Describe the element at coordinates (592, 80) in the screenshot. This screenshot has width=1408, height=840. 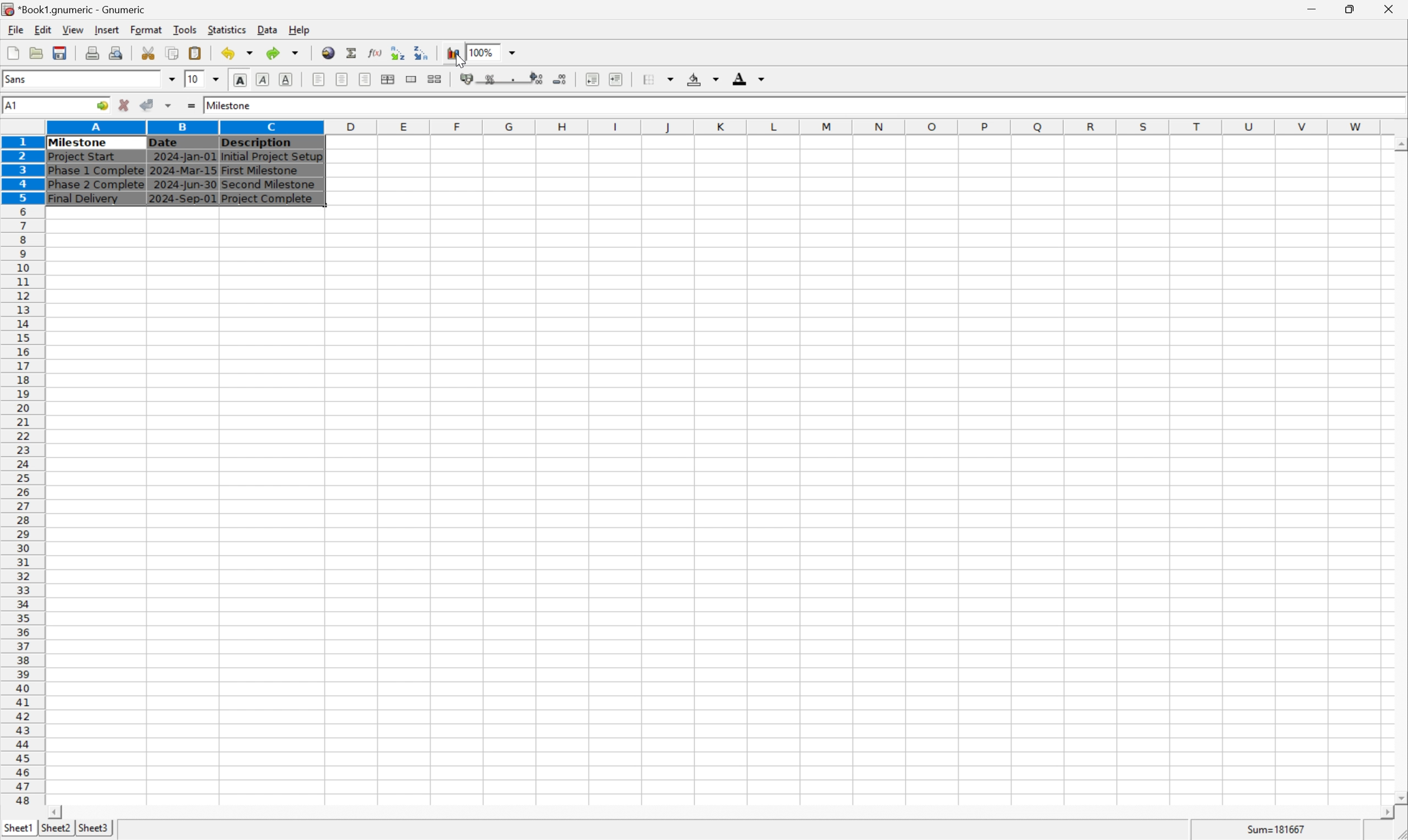
I see `decrease indent` at that location.